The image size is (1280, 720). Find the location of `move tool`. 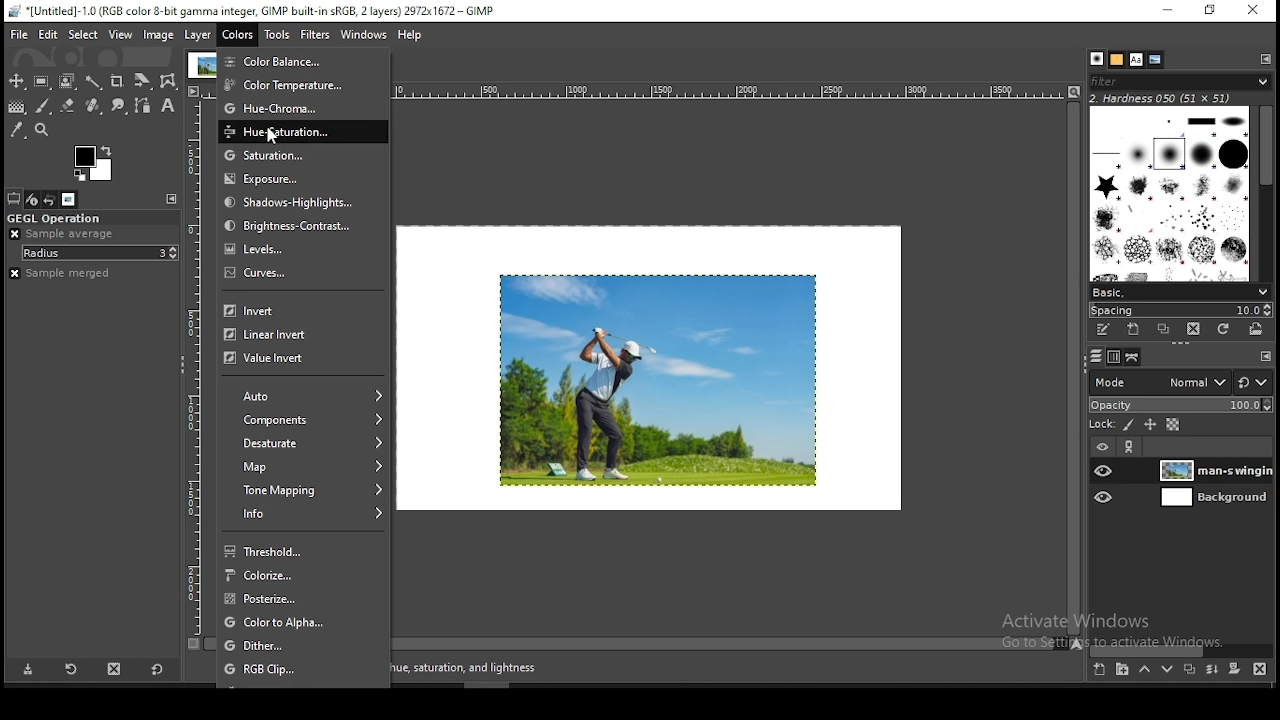

move tool is located at coordinates (16, 80).